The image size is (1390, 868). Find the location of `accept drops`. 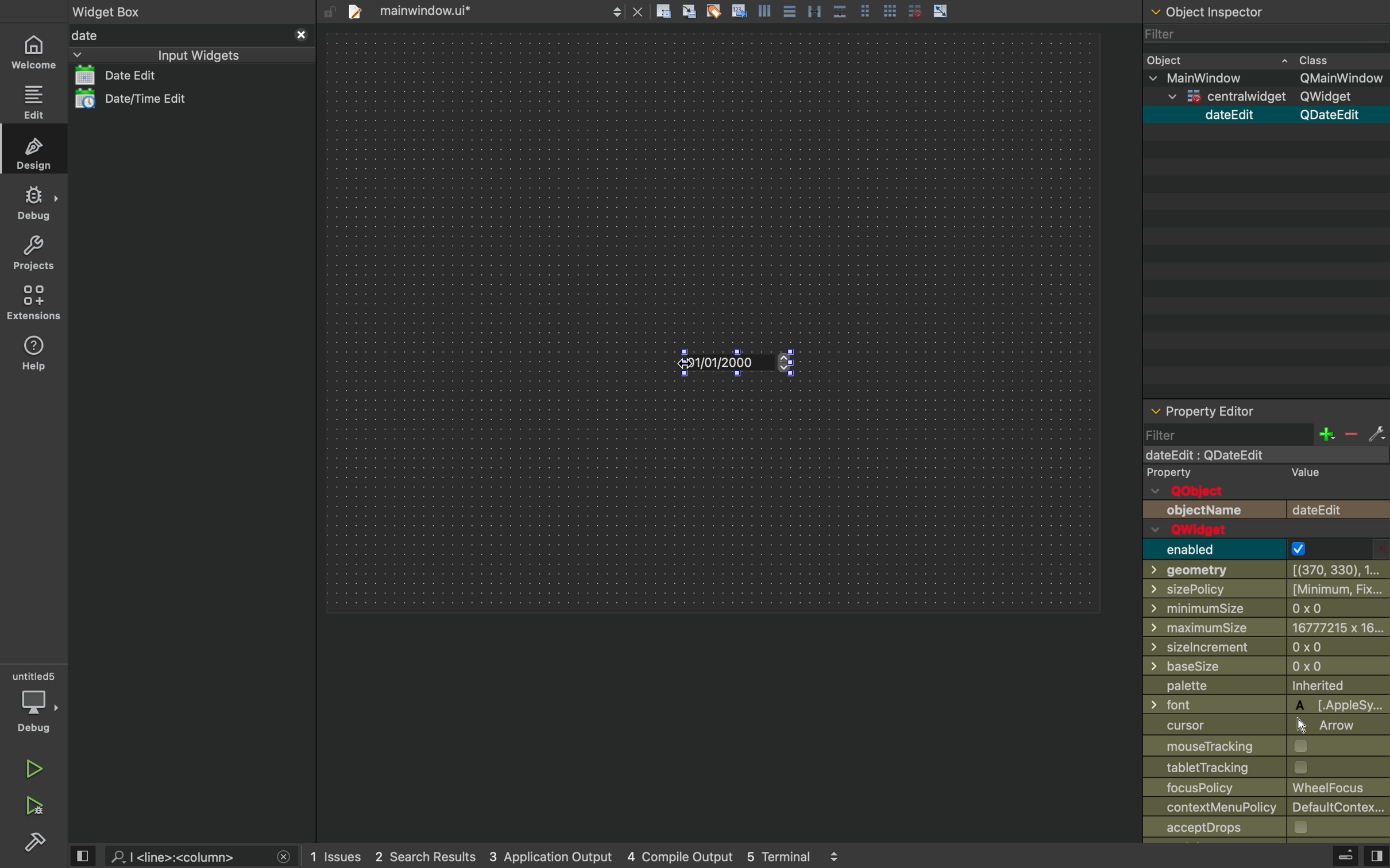

accept drops is located at coordinates (1260, 828).